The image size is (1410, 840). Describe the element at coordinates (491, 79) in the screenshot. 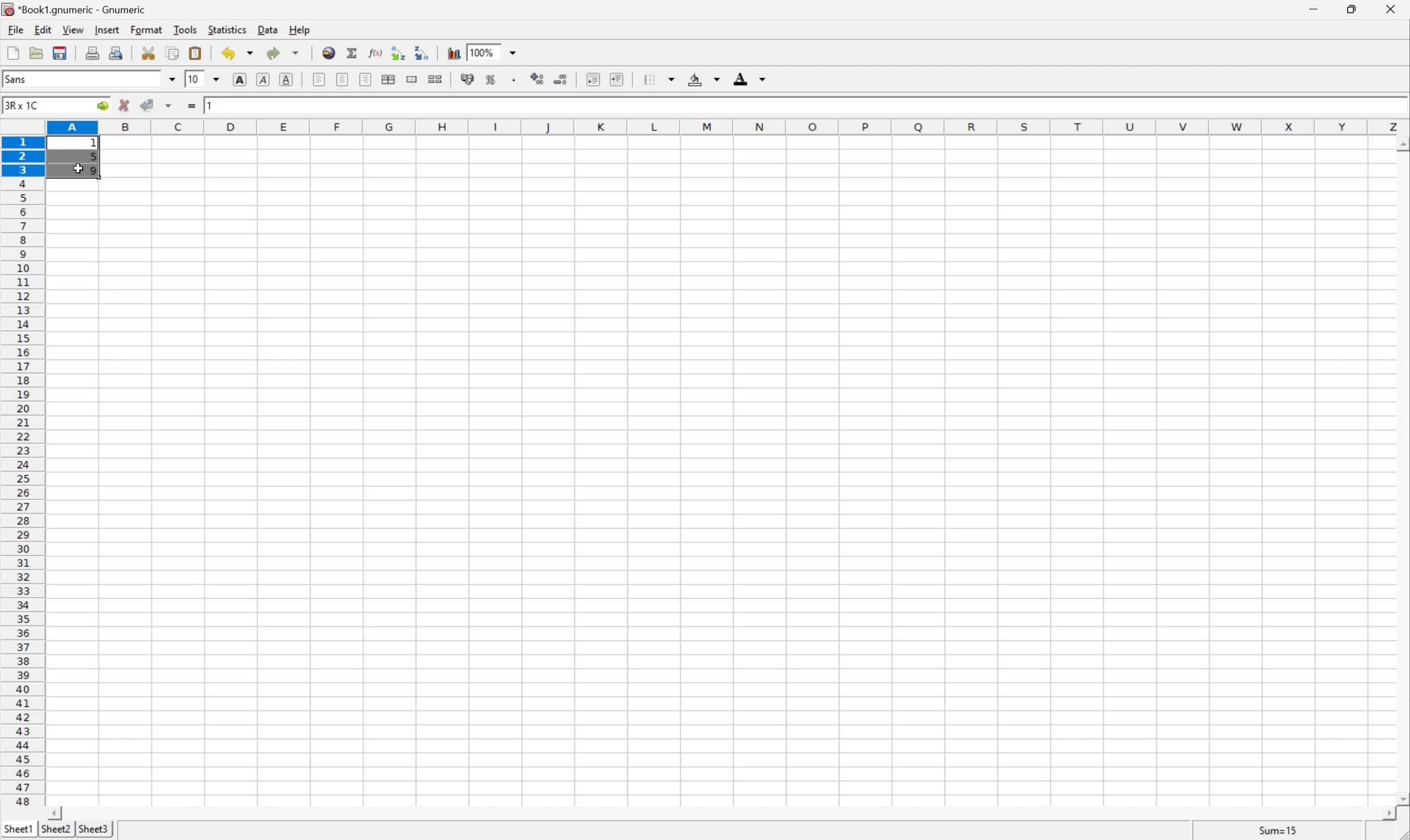

I see `format selection as percentage` at that location.